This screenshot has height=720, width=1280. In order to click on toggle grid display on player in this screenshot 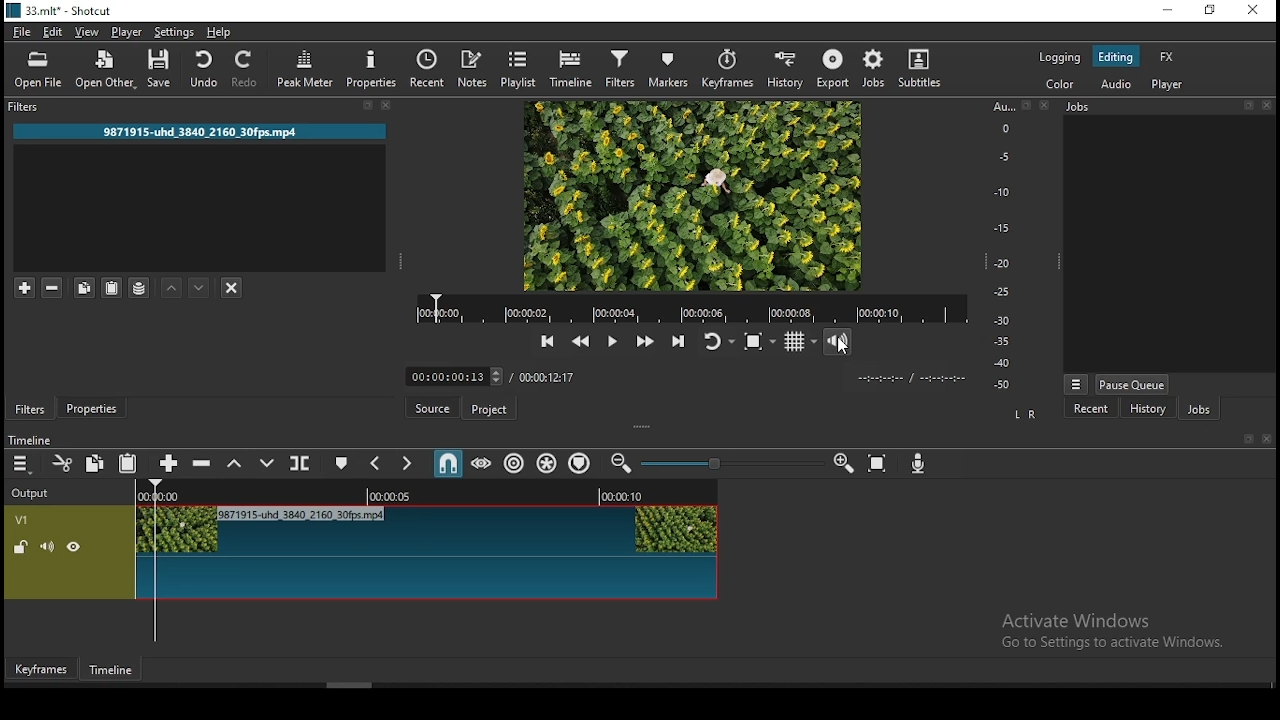, I will do `click(799, 346)`.